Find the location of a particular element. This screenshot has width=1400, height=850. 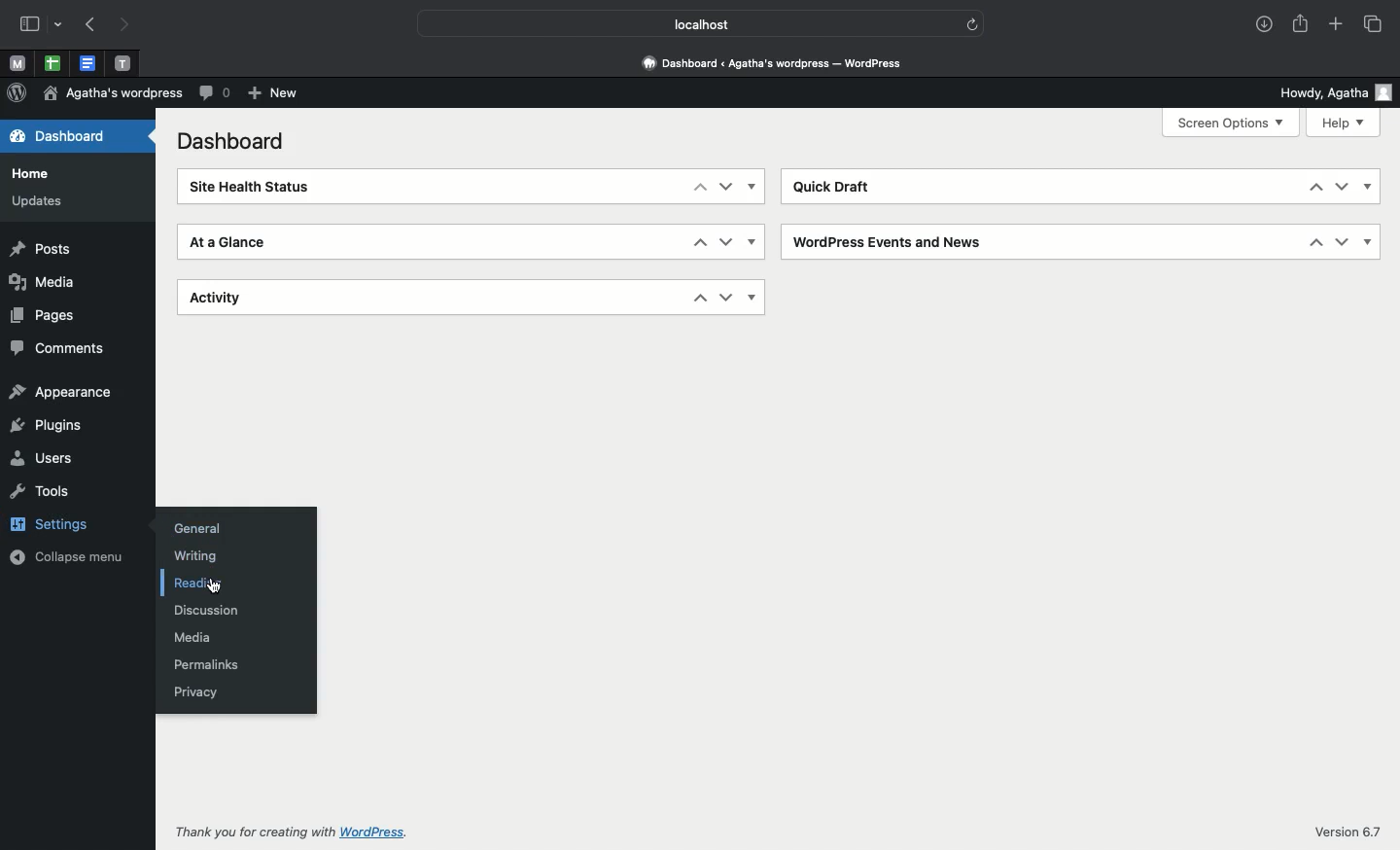

Tools is located at coordinates (36, 489).